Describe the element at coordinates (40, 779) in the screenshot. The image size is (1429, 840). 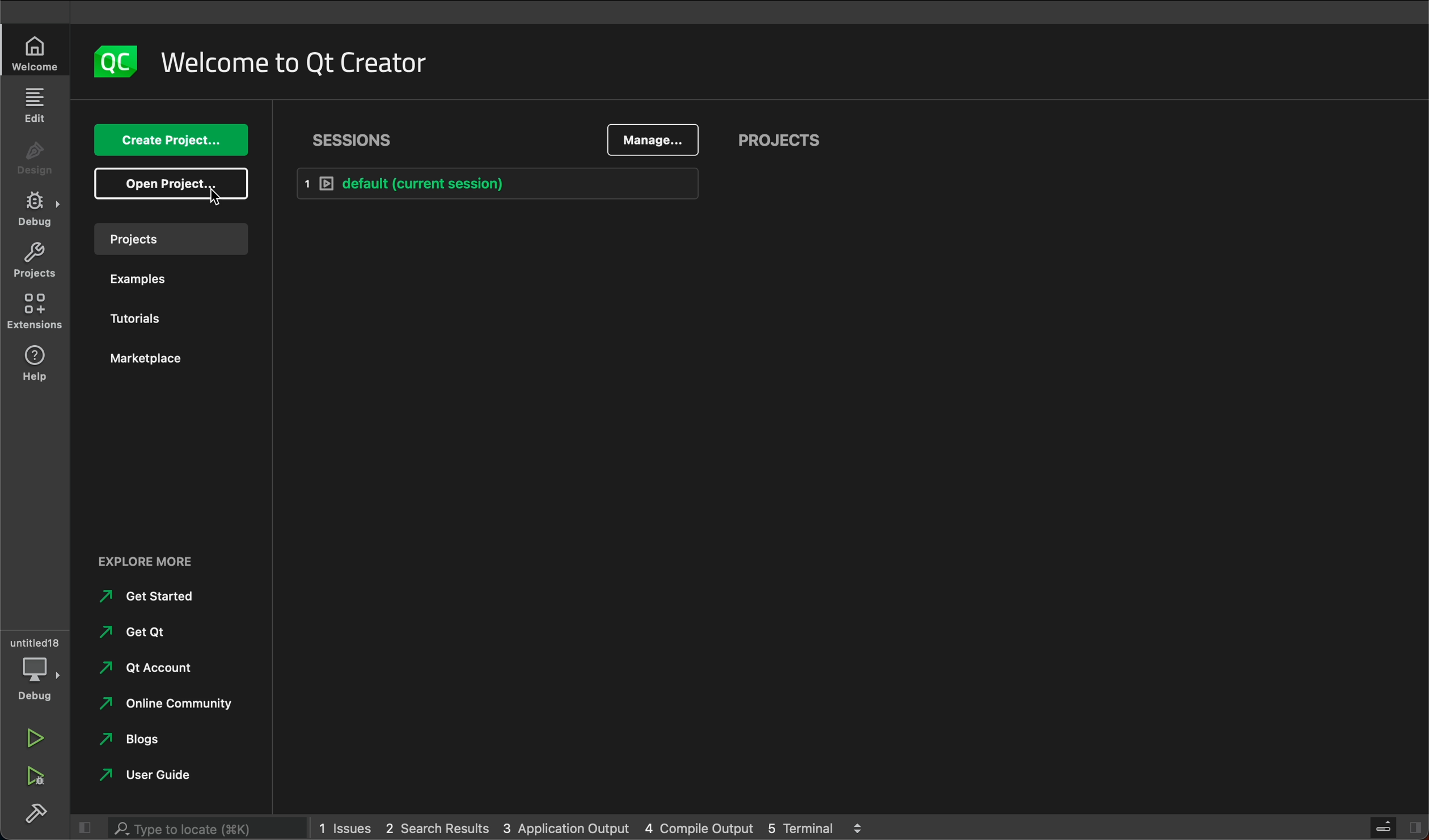
I see `run debug` at that location.